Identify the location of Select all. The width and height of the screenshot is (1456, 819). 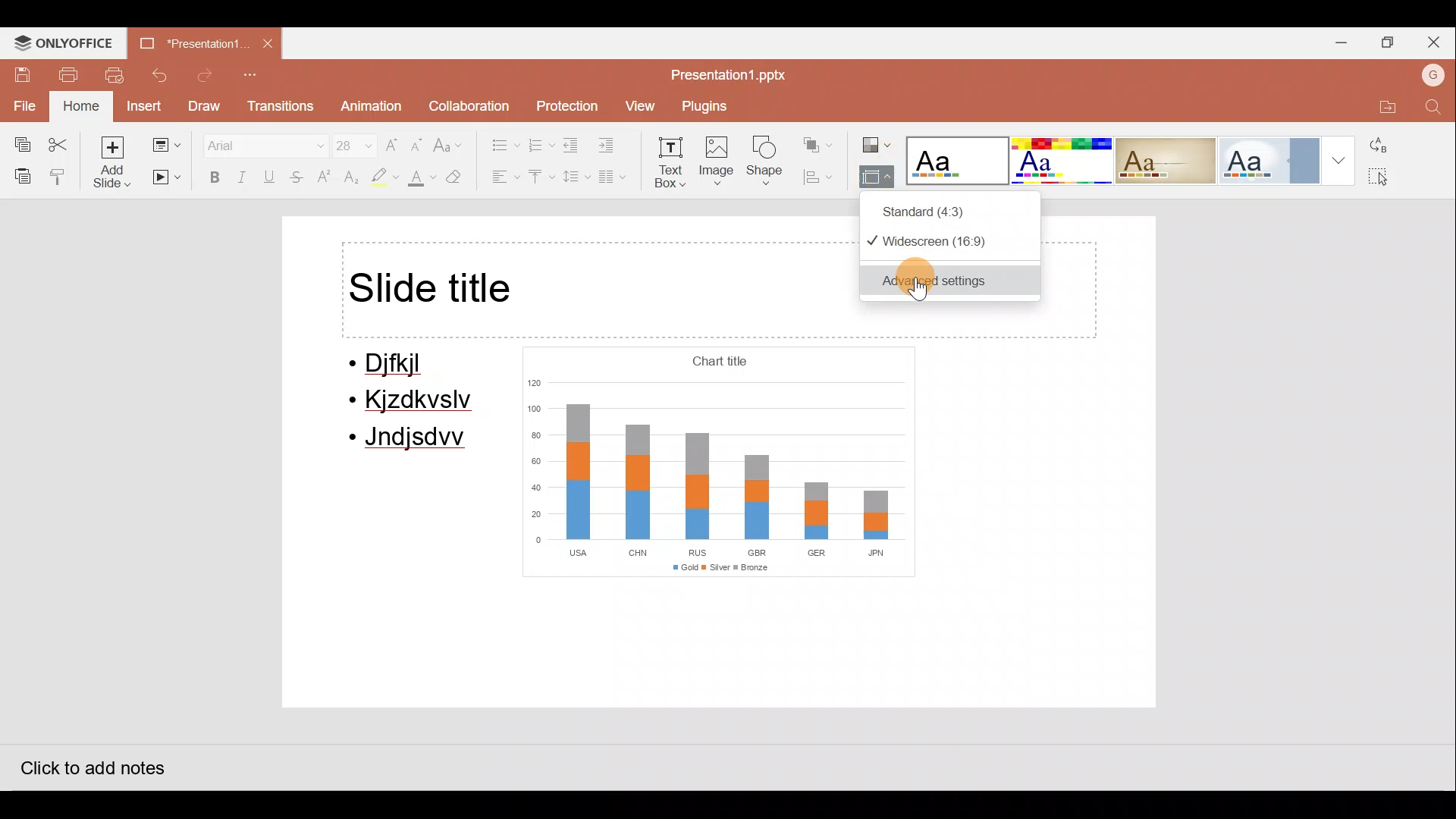
(1392, 180).